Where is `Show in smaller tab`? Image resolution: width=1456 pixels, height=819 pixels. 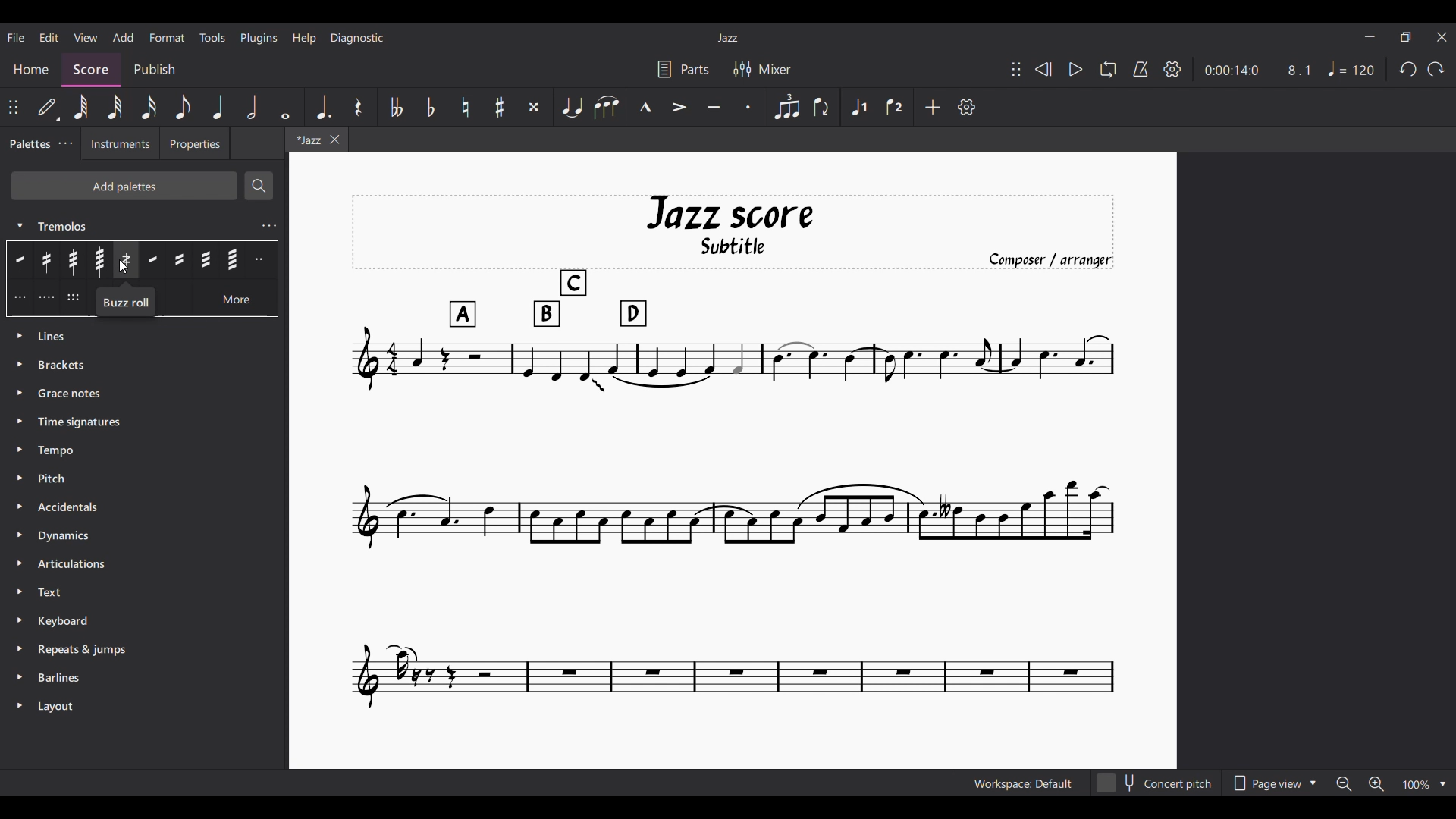
Show in smaller tab is located at coordinates (1406, 36).